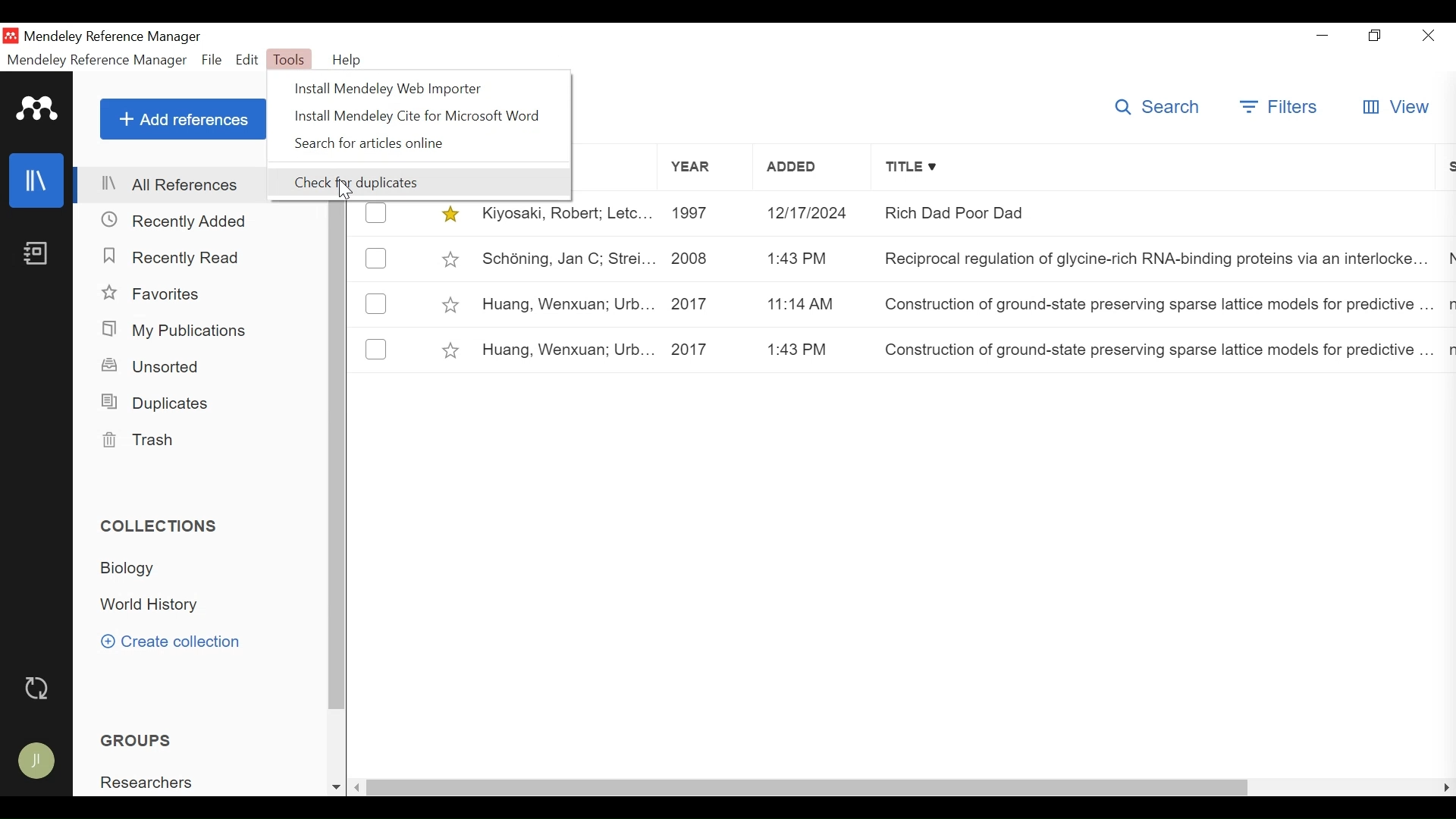 The width and height of the screenshot is (1456, 819). Describe the element at coordinates (133, 568) in the screenshot. I see `Collection` at that location.